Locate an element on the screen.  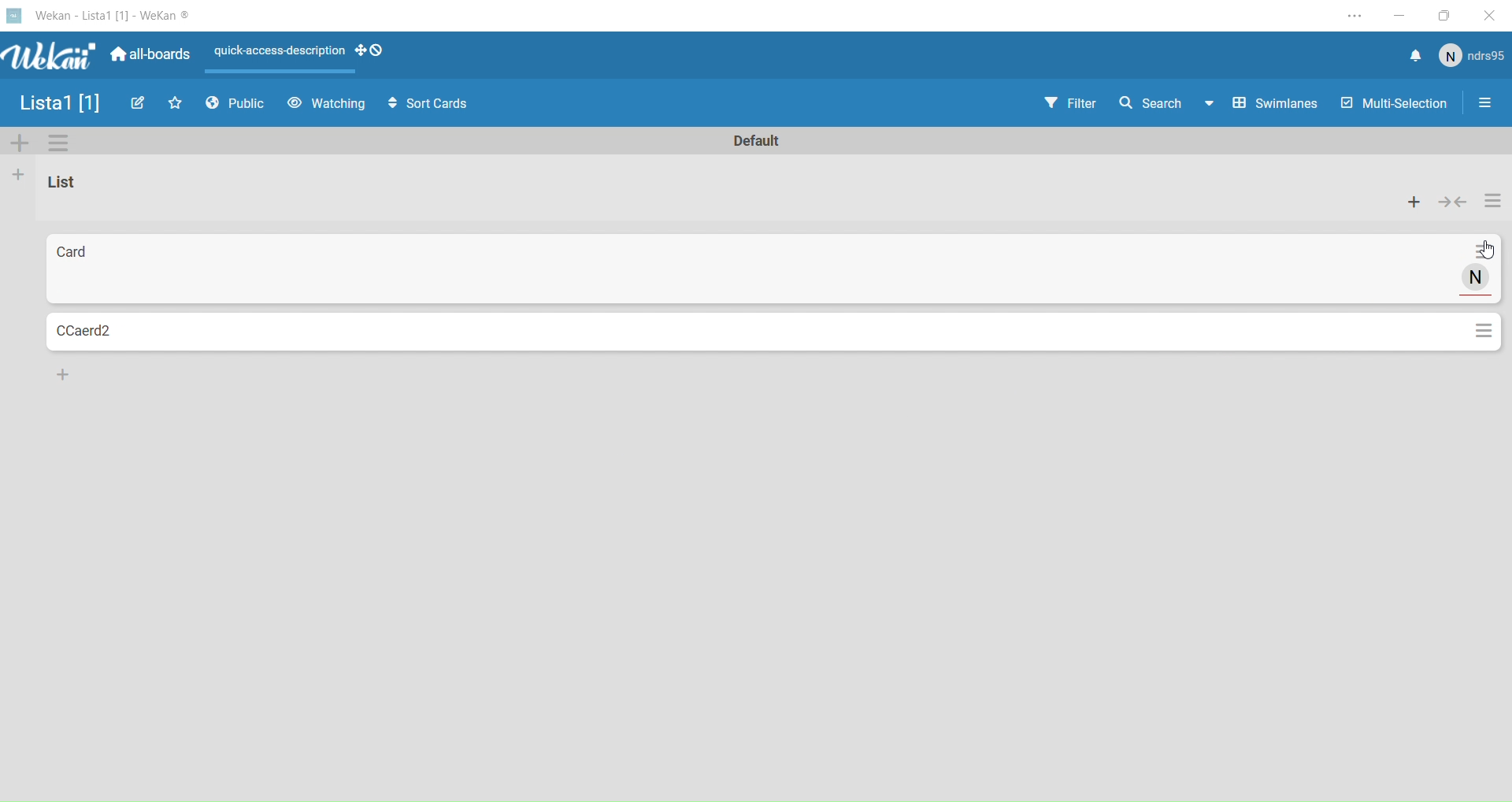
User is located at coordinates (1467, 282).